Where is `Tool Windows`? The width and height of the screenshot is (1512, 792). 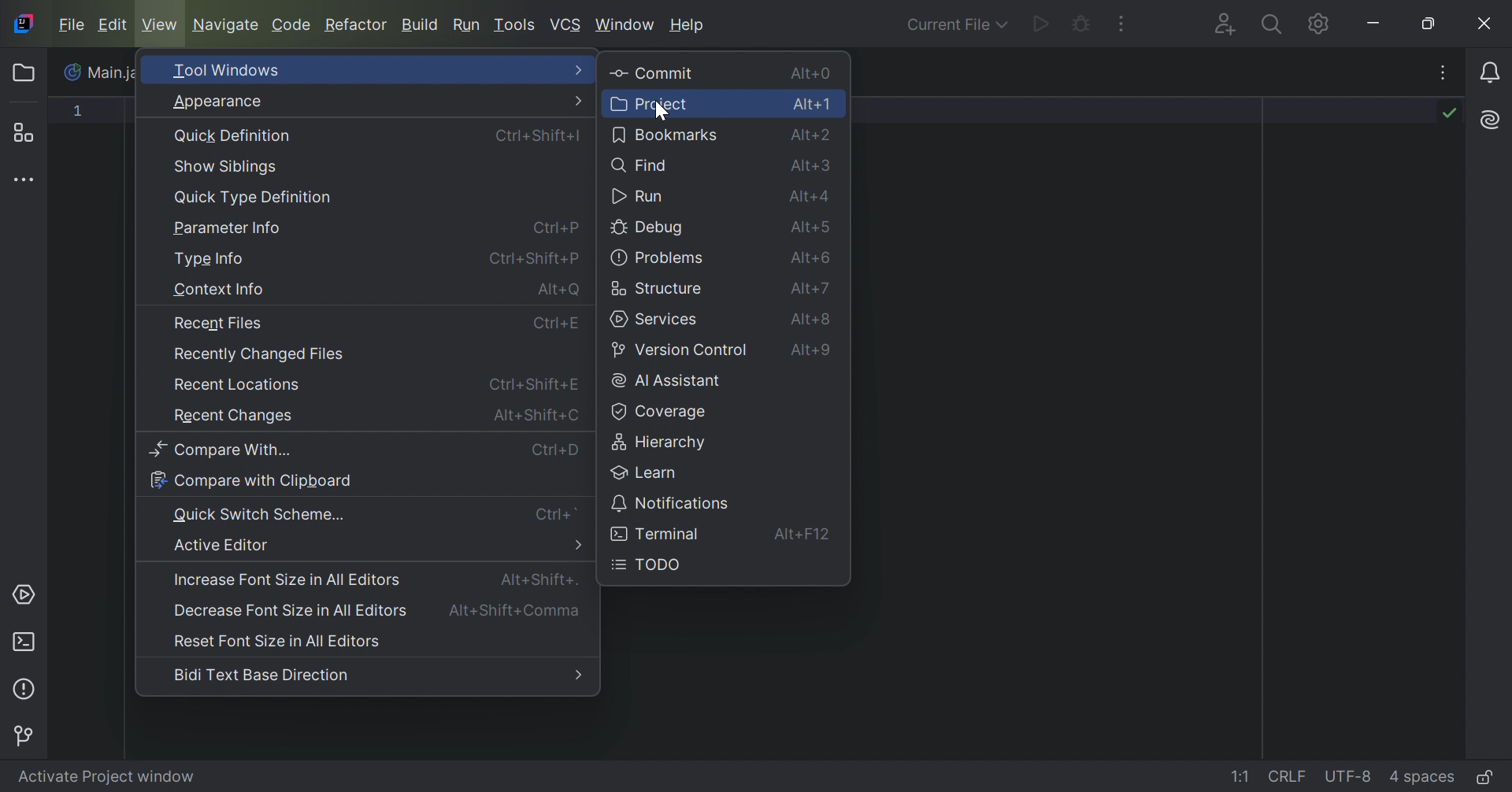 Tool Windows is located at coordinates (232, 69).